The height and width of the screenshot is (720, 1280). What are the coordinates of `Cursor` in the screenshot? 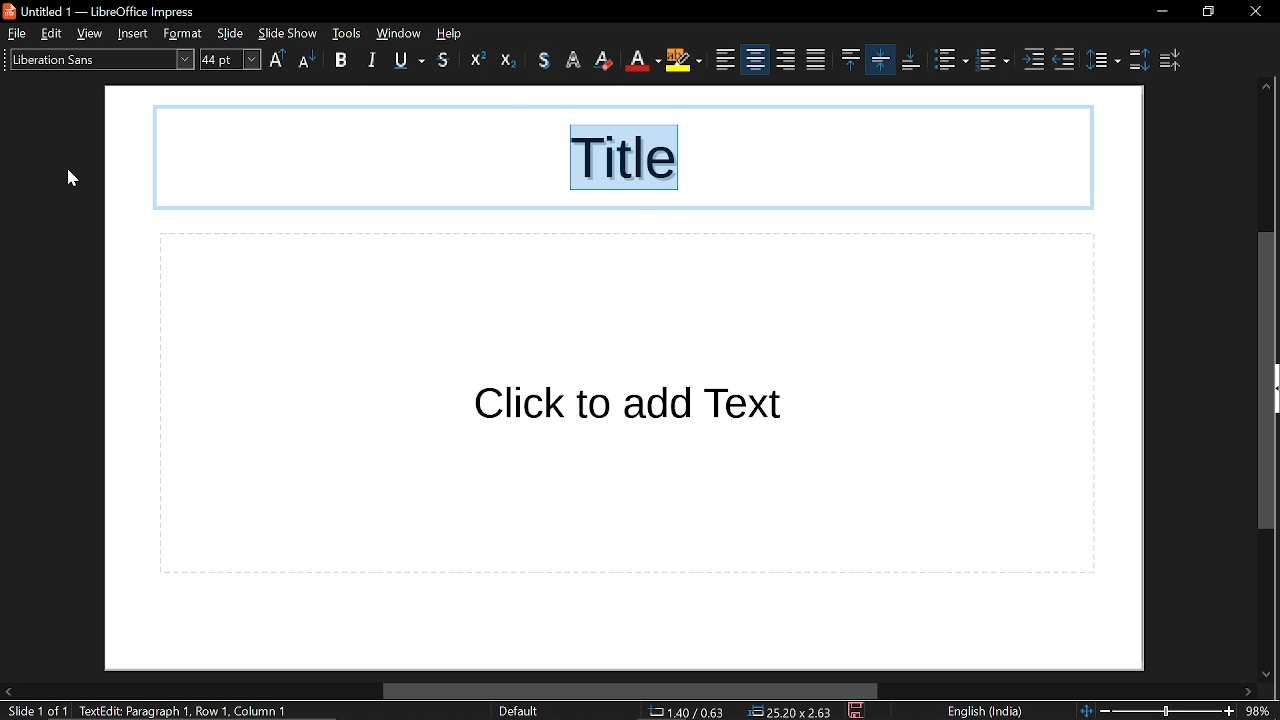 It's located at (72, 179).